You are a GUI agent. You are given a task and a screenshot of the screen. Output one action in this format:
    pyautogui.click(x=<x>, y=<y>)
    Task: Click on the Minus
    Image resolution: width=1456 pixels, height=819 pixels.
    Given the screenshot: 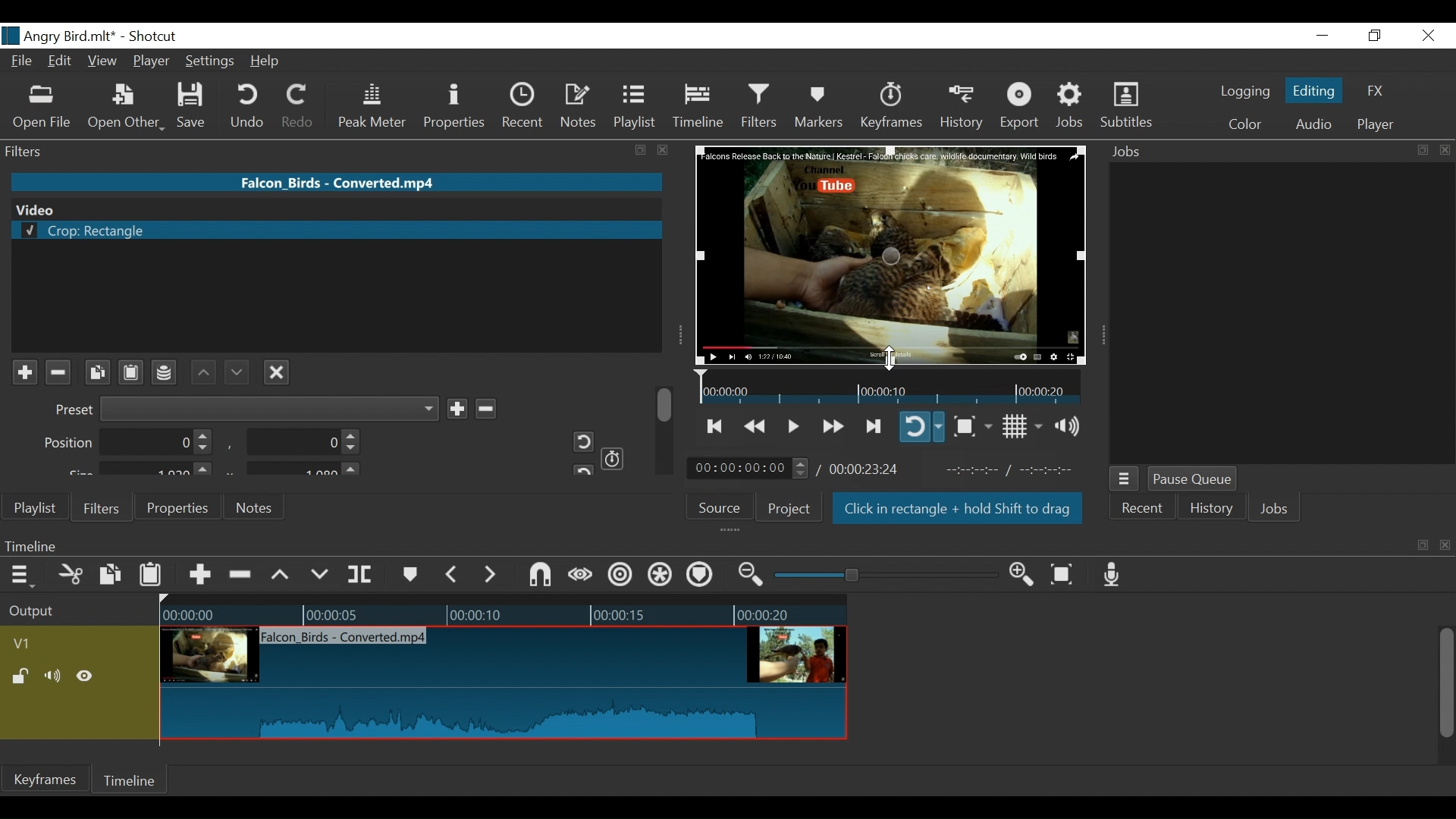 What is the action you would take?
    pyautogui.click(x=485, y=406)
    